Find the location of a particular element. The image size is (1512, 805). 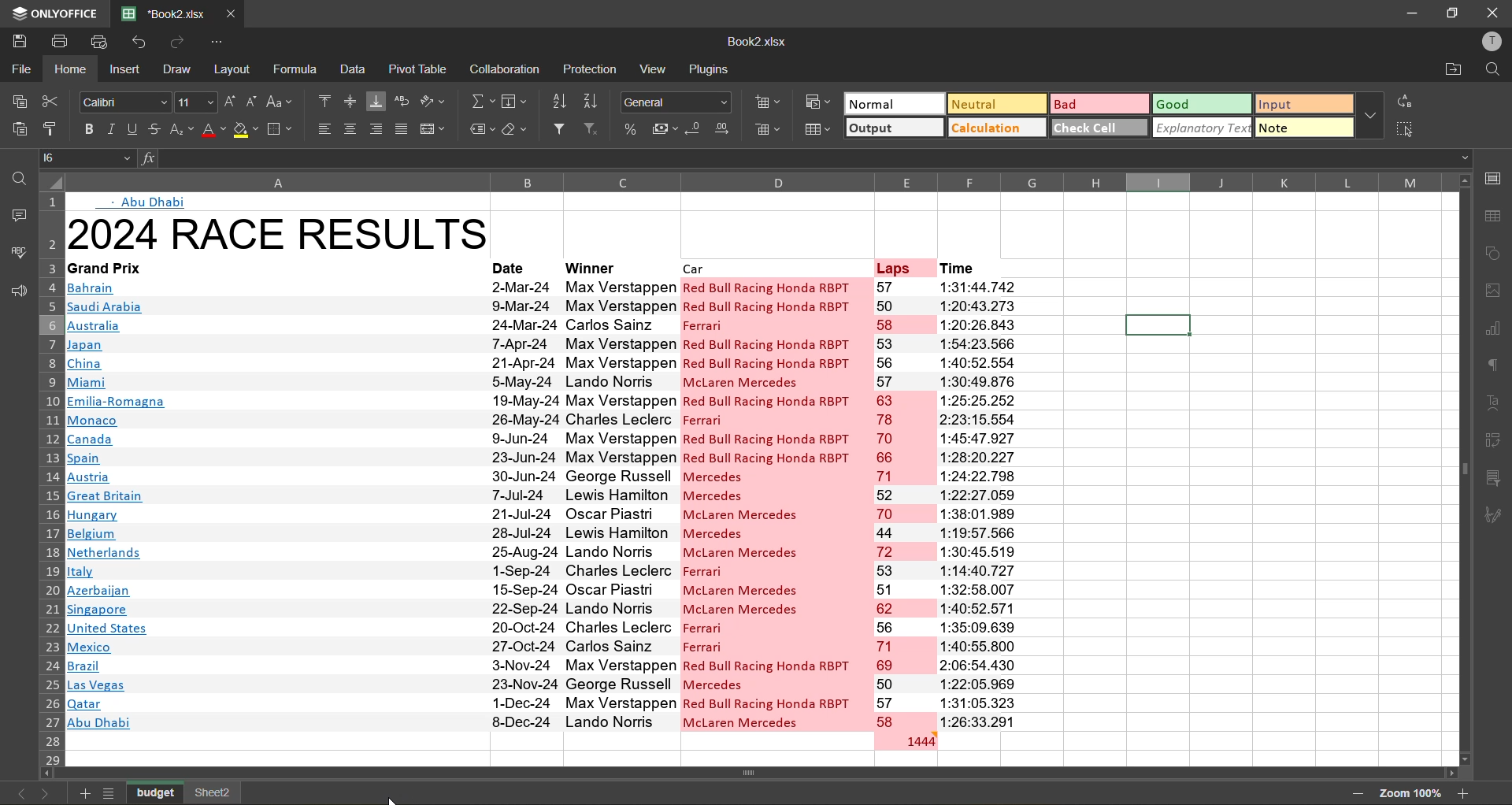

orientation is located at coordinates (435, 104).